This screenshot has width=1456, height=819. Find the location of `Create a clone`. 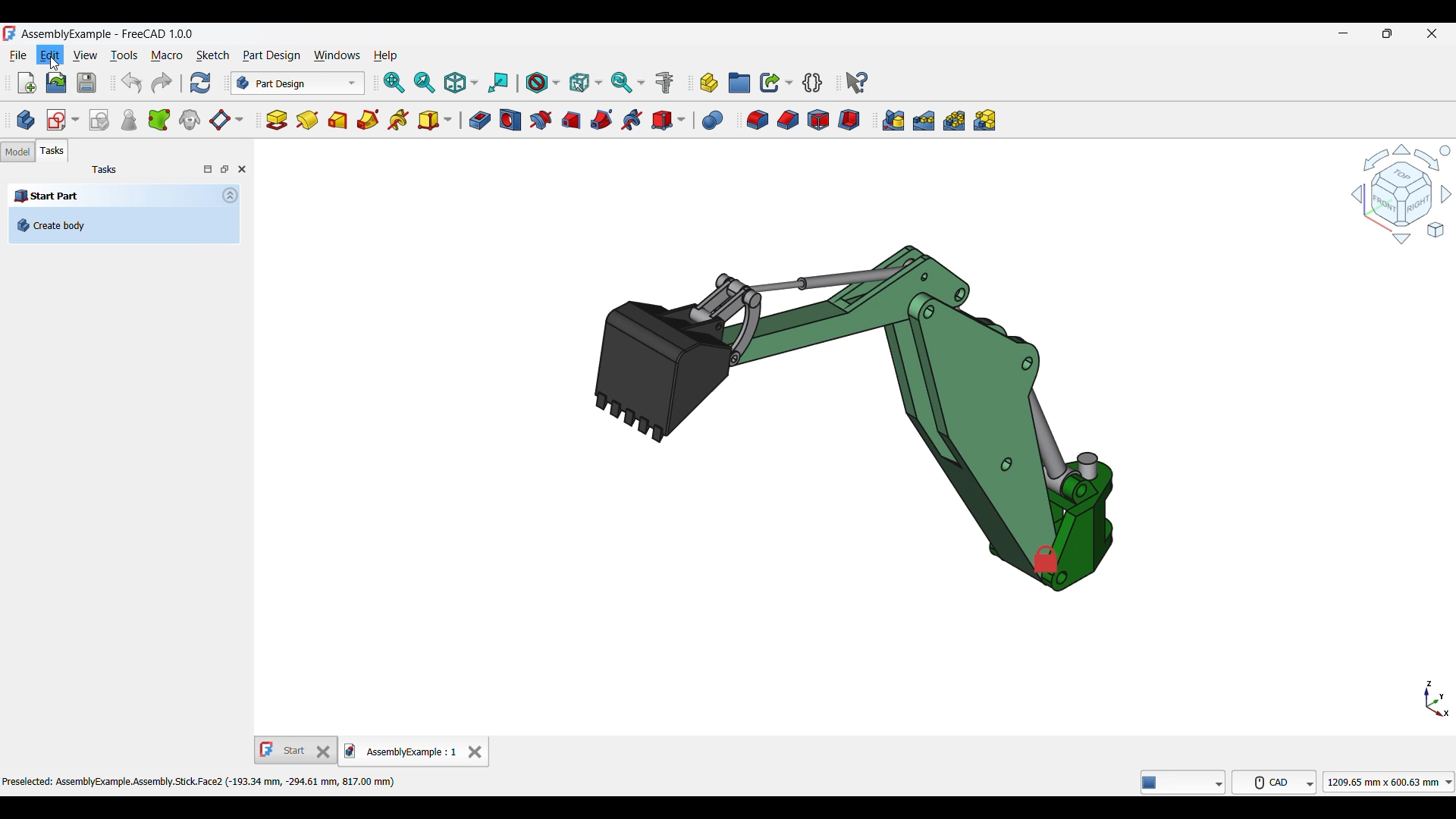

Create a clone is located at coordinates (190, 119).